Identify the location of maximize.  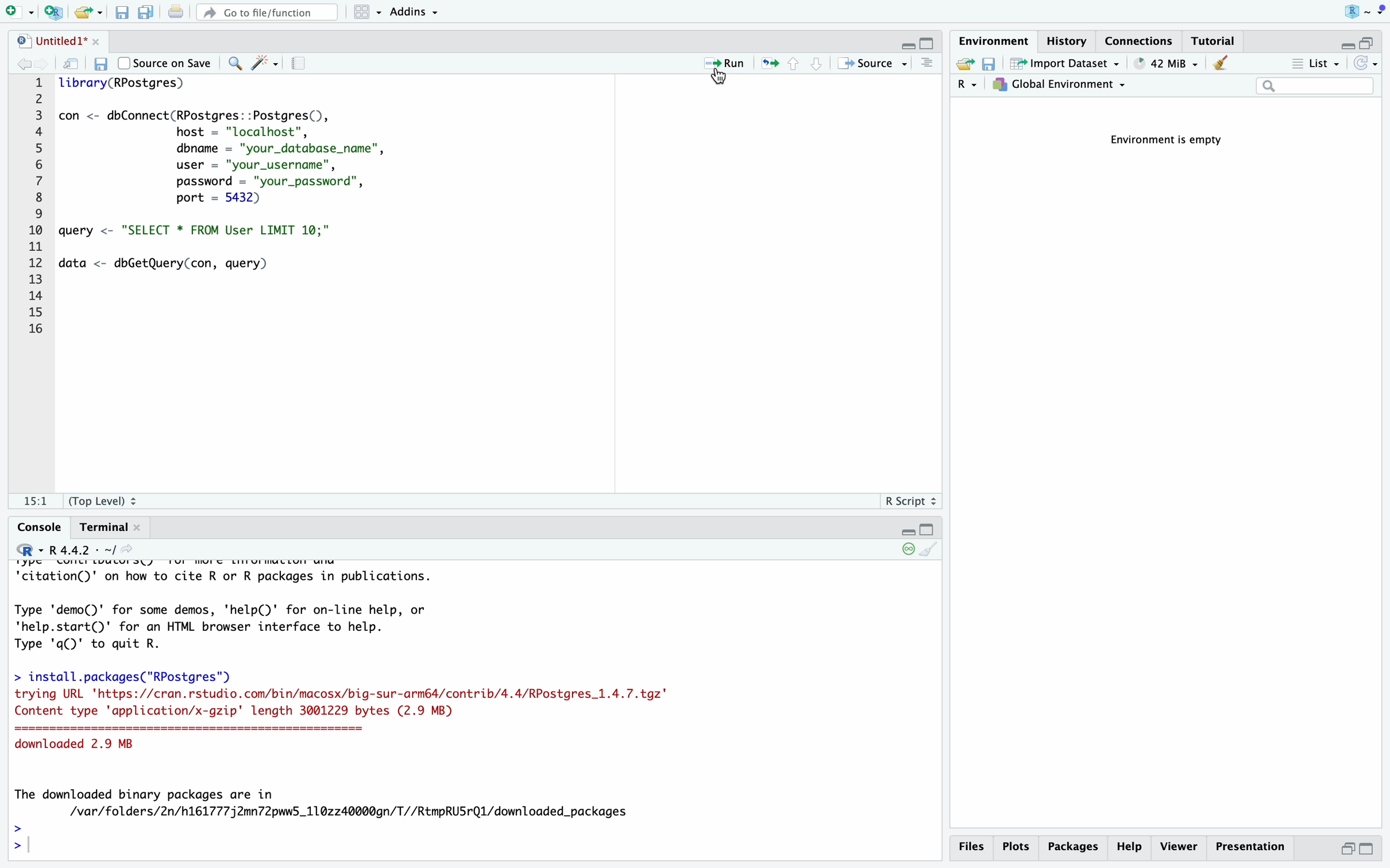
(1373, 37).